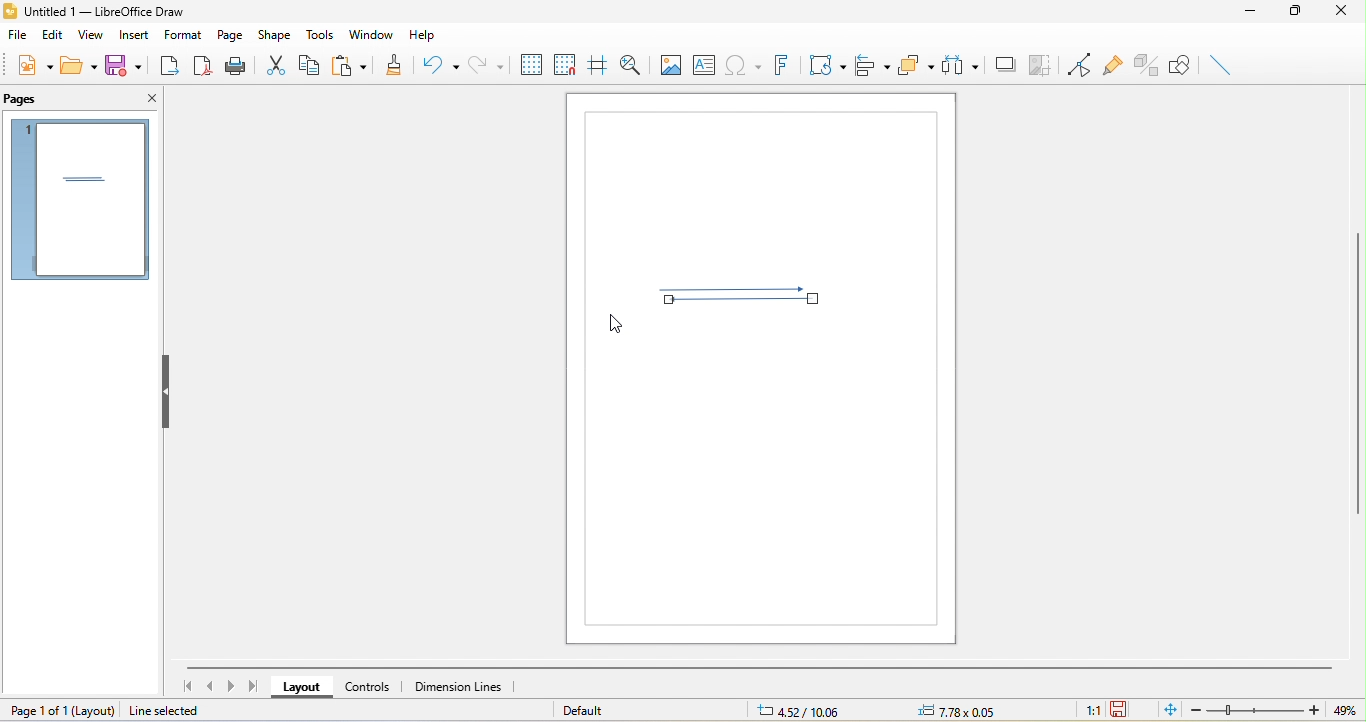 Image resolution: width=1366 pixels, height=722 pixels. Describe the element at coordinates (94, 12) in the screenshot. I see `title` at that location.